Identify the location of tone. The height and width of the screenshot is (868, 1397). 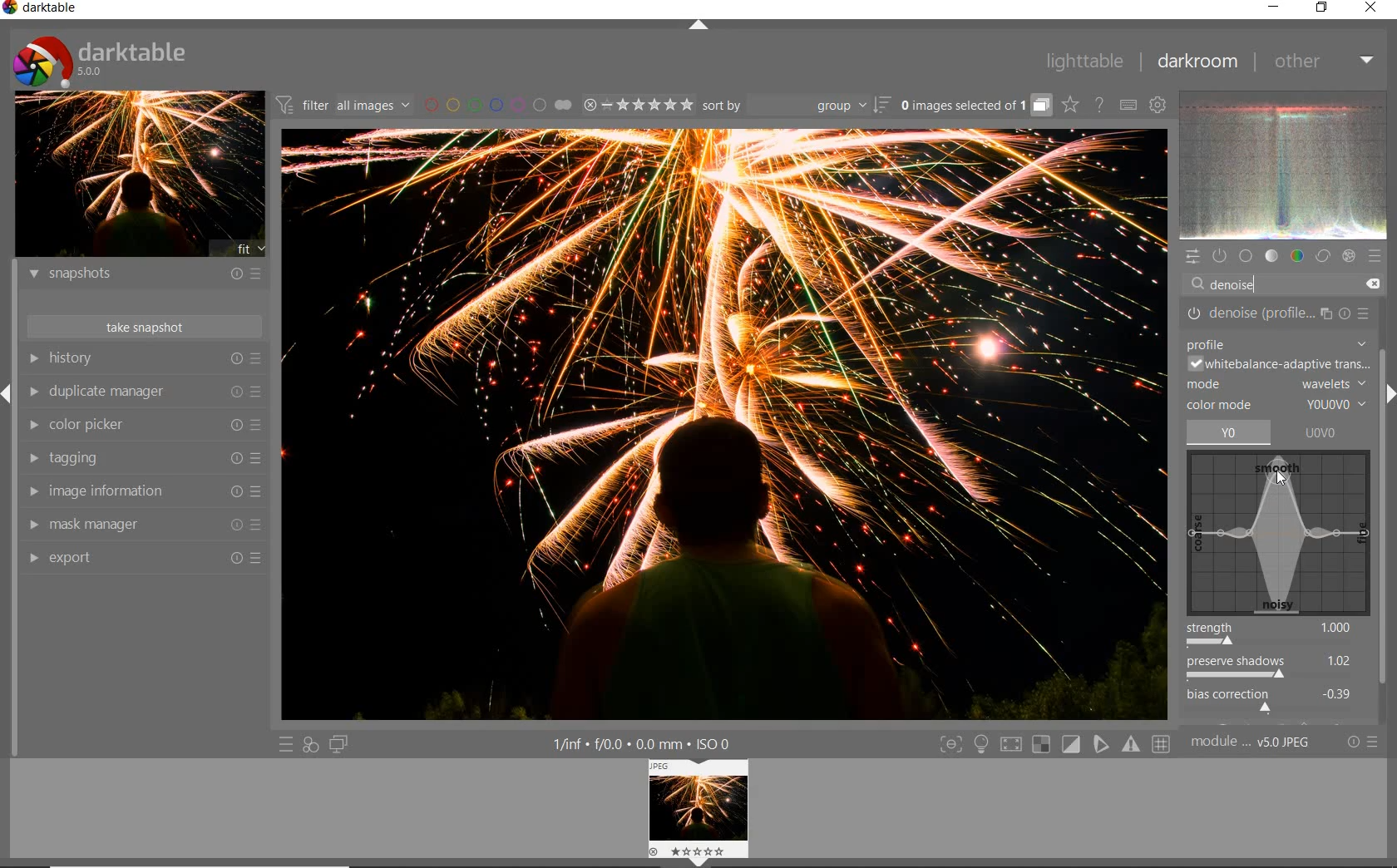
(1273, 257).